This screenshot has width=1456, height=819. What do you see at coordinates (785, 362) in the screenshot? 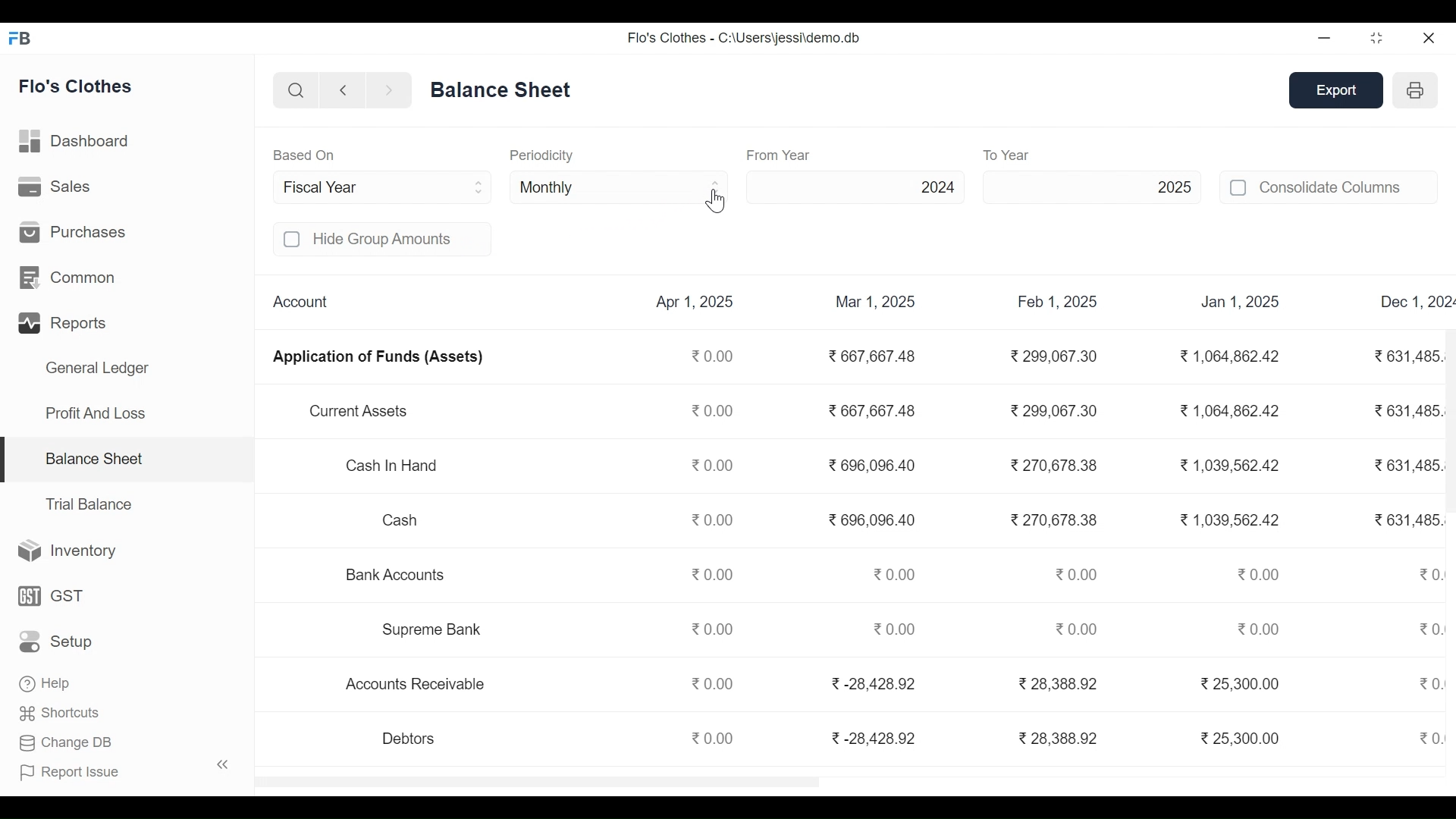
I see `Application of Funds (Assets) % 0.00 % 667,667.48 %299,067.30 31,064,862.42` at bounding box center [785, 362].